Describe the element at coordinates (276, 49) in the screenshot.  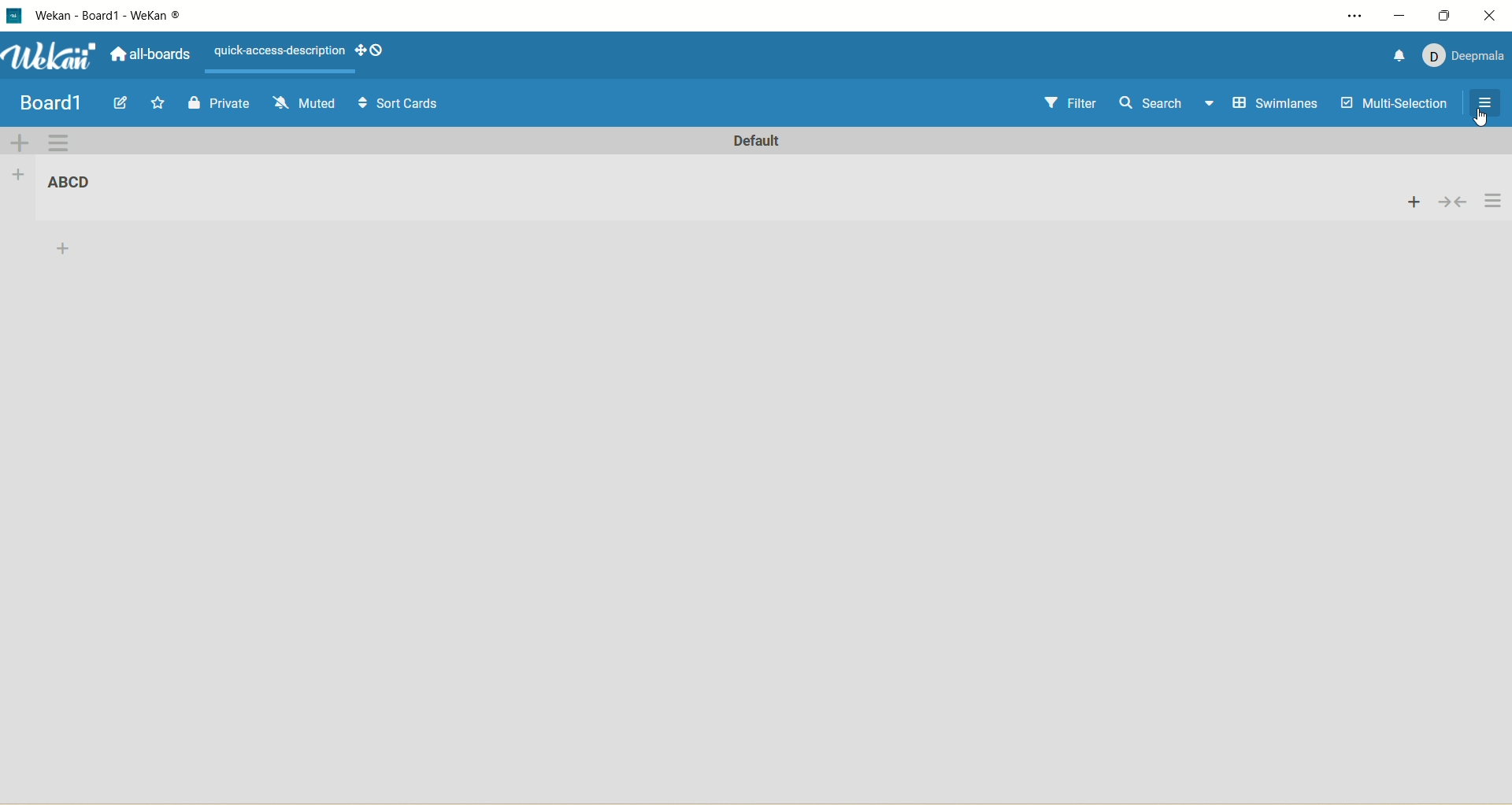
I see `text` at that location.